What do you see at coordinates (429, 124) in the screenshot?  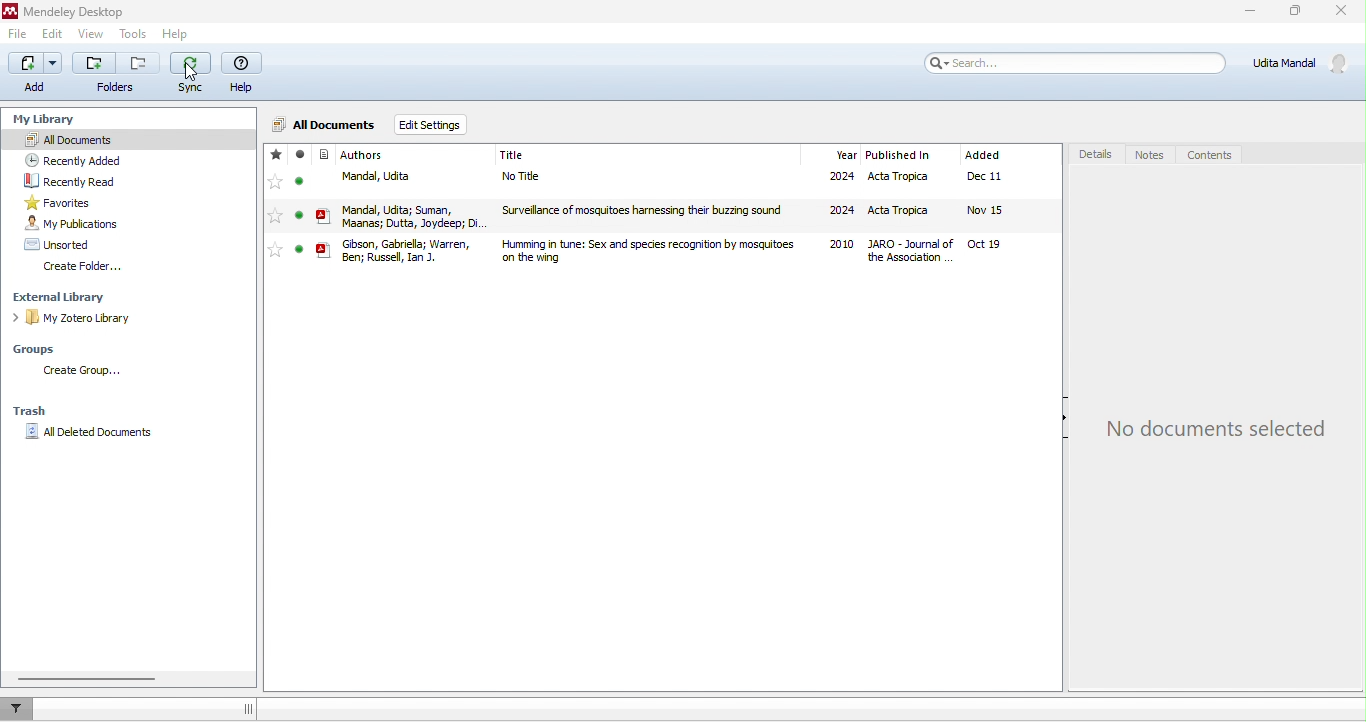 I see `edit settings` at bounding box center [429, 124].